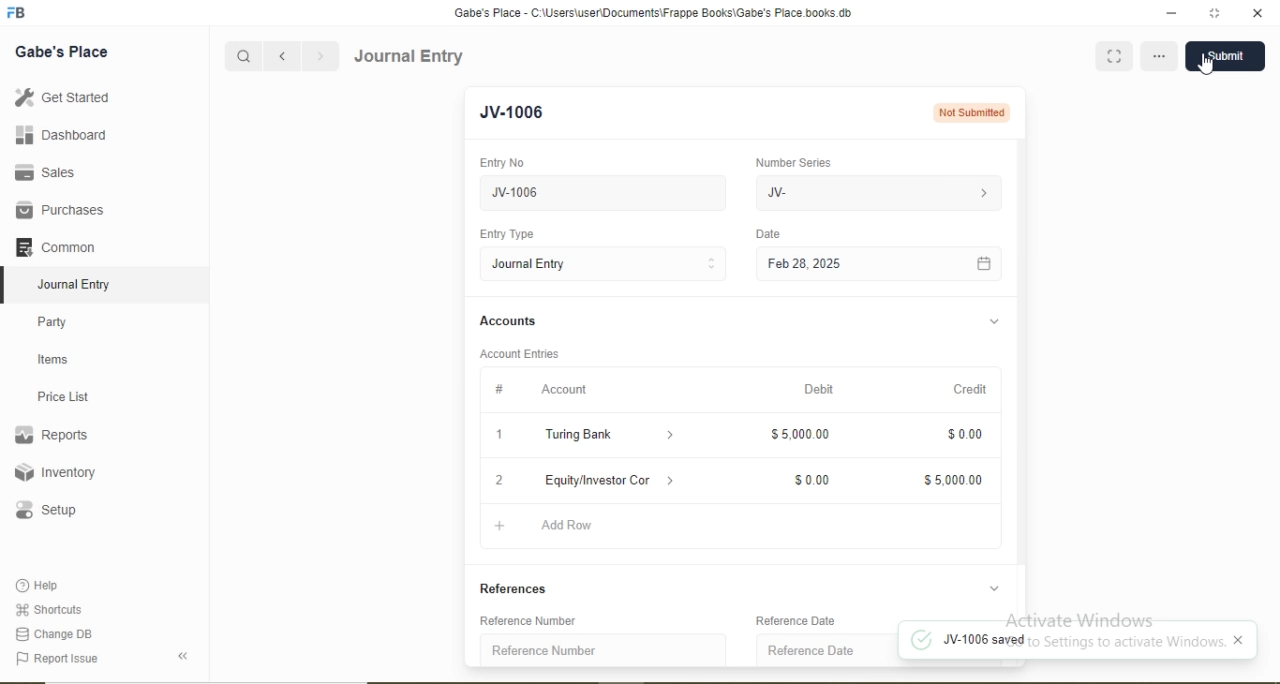 This screenshot has width=1280, height=684. I want to click on Sales, so click(42, 172).